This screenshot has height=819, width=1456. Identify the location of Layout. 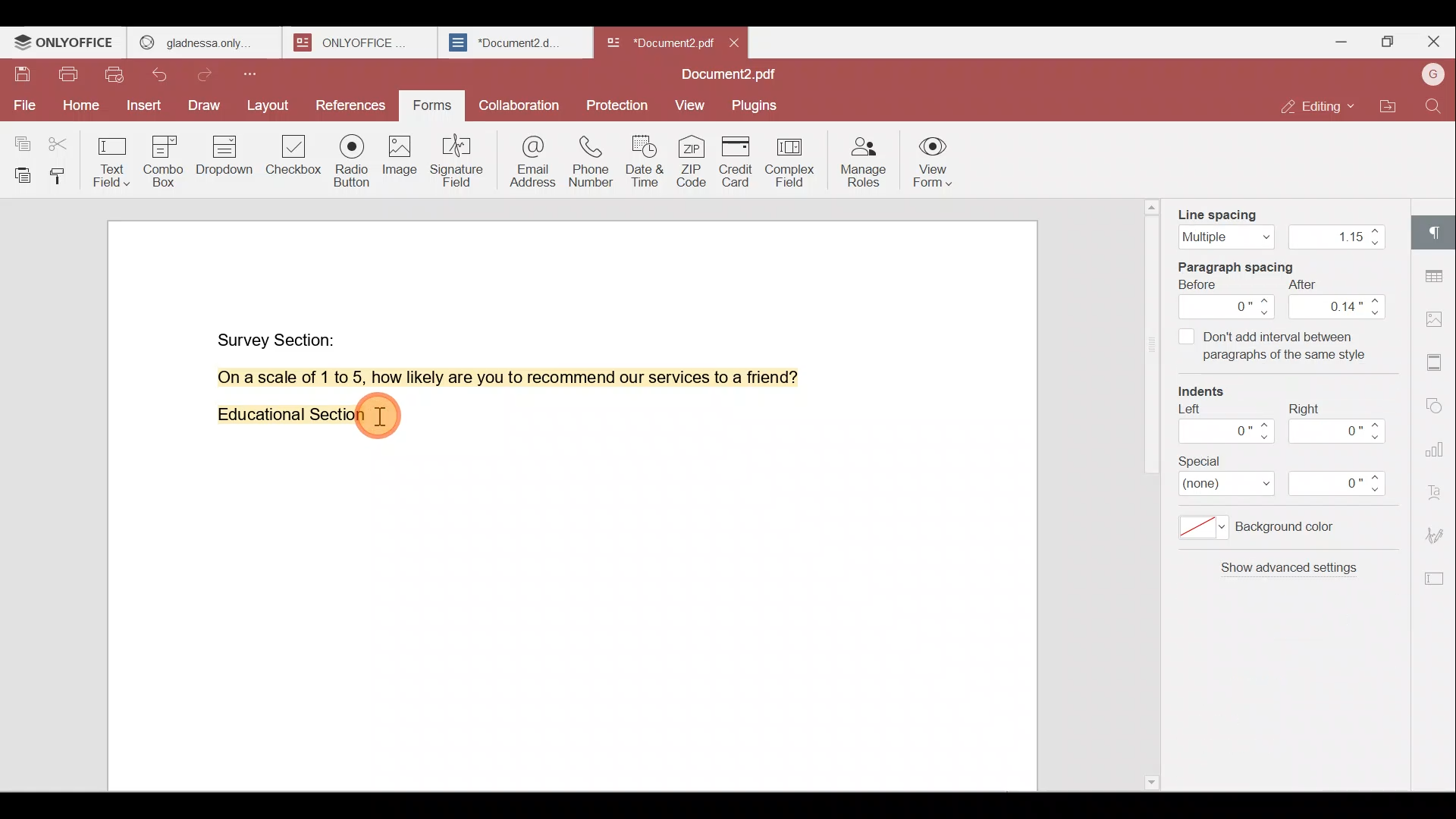
(268, 106).